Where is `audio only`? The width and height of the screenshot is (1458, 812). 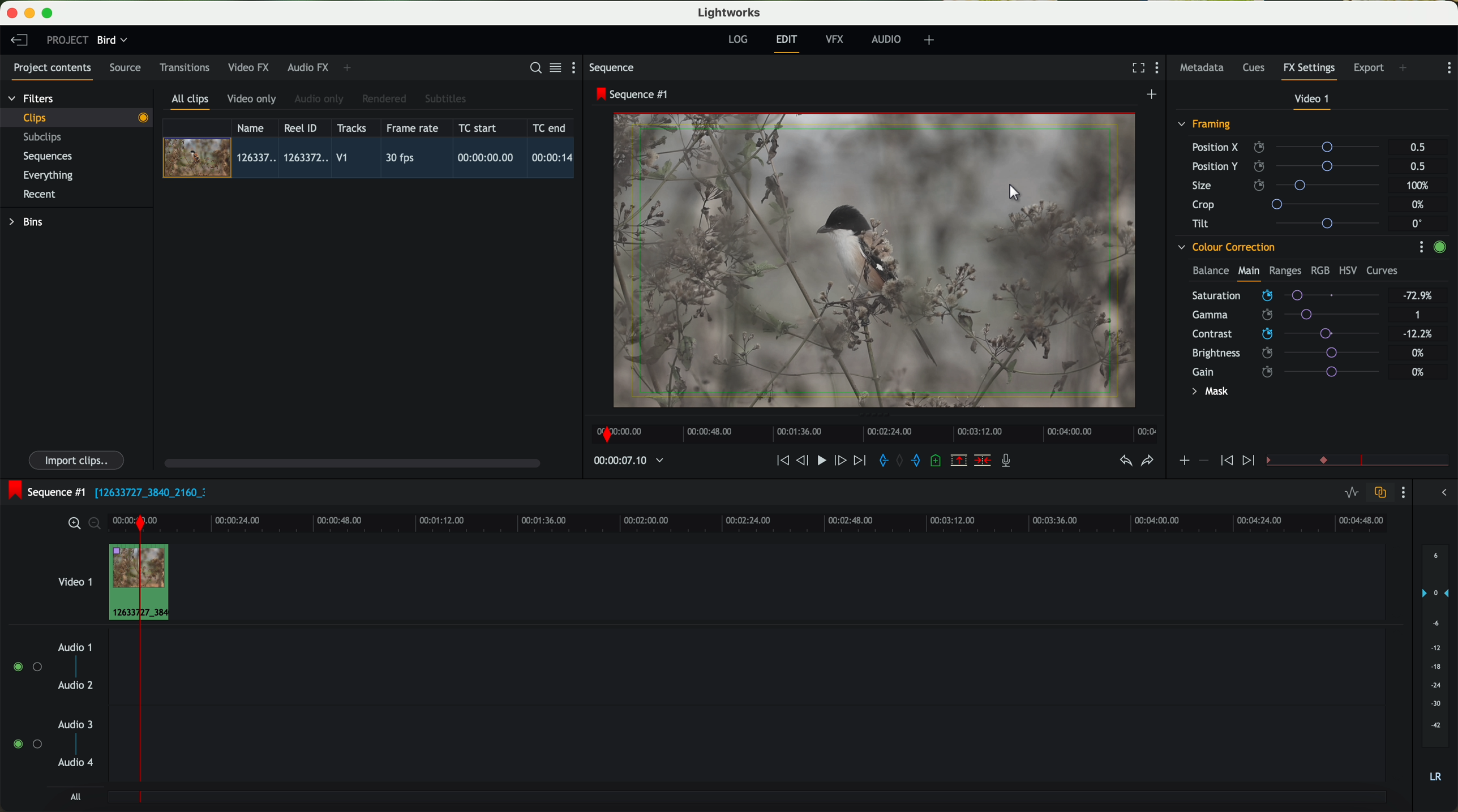 audio only is located at coordinates (320, 99).